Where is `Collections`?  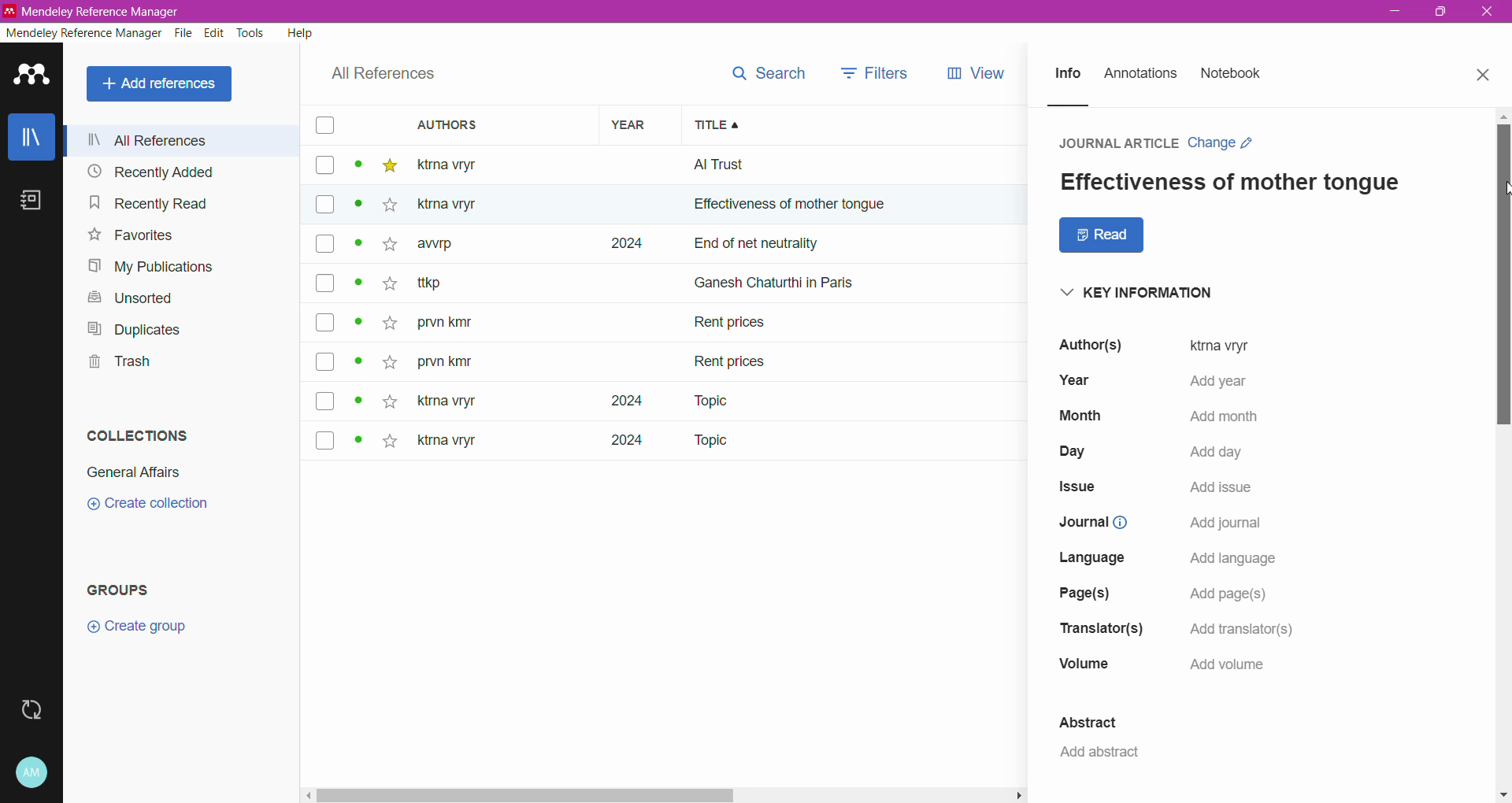
Collections is located at coordinates (139, 435).